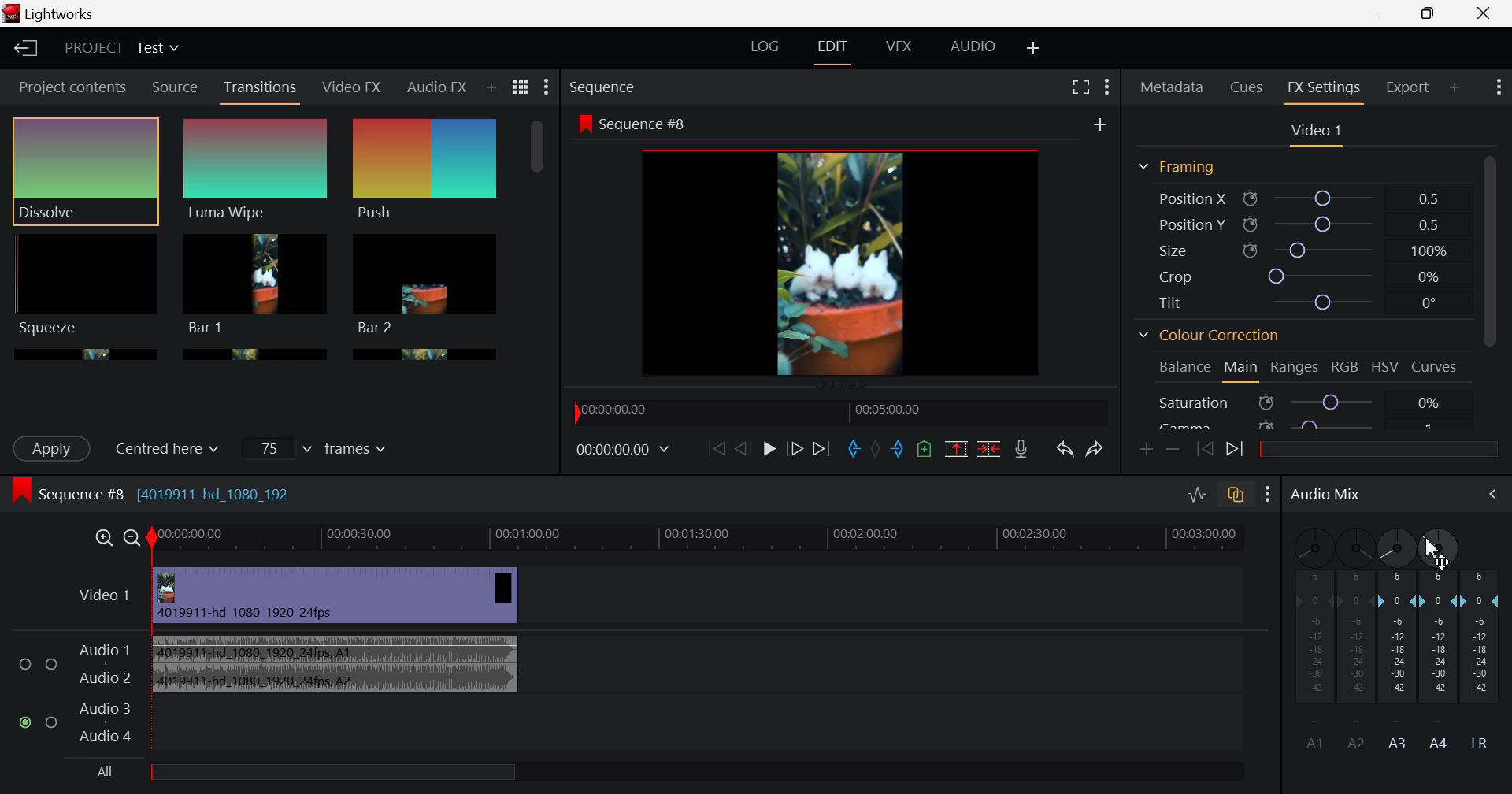 The width and height of the screenshot is (1512, 794). Describe the element at coordinates (256, 171) in the screenshot. I see `Luma Wipe` at that location.